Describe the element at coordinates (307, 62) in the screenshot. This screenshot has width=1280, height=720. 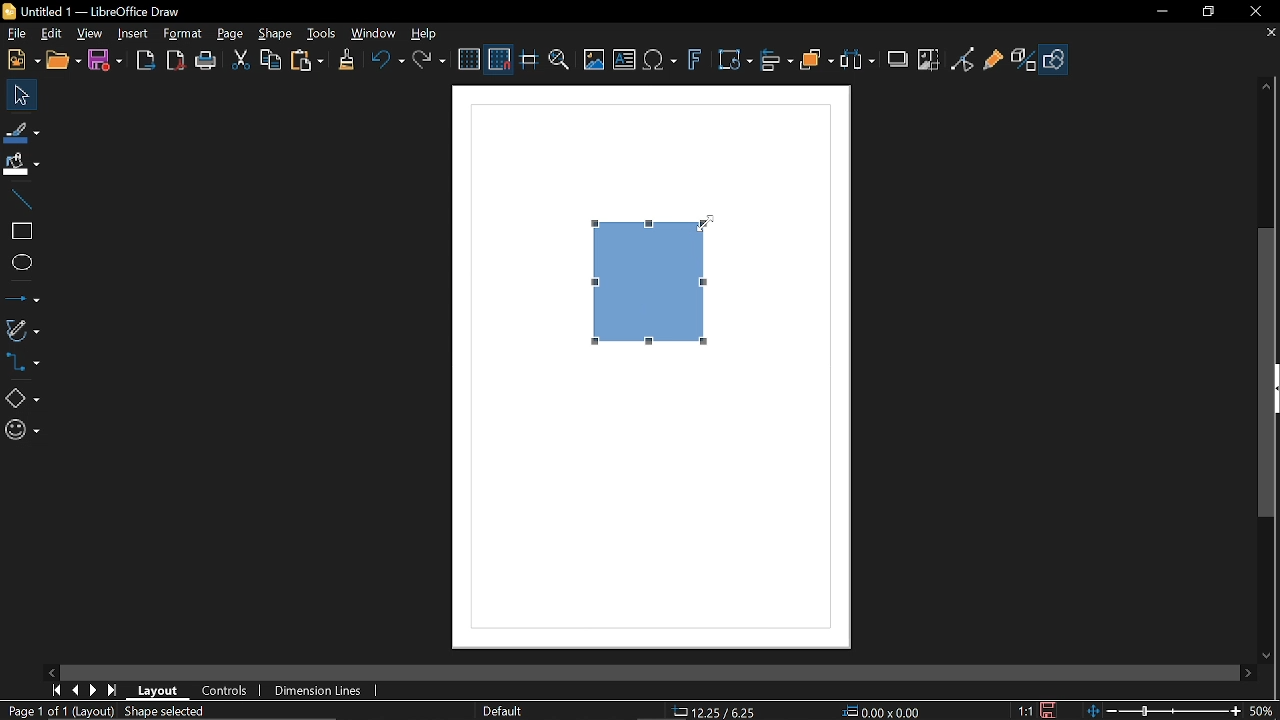
I see `Paste` at that location.